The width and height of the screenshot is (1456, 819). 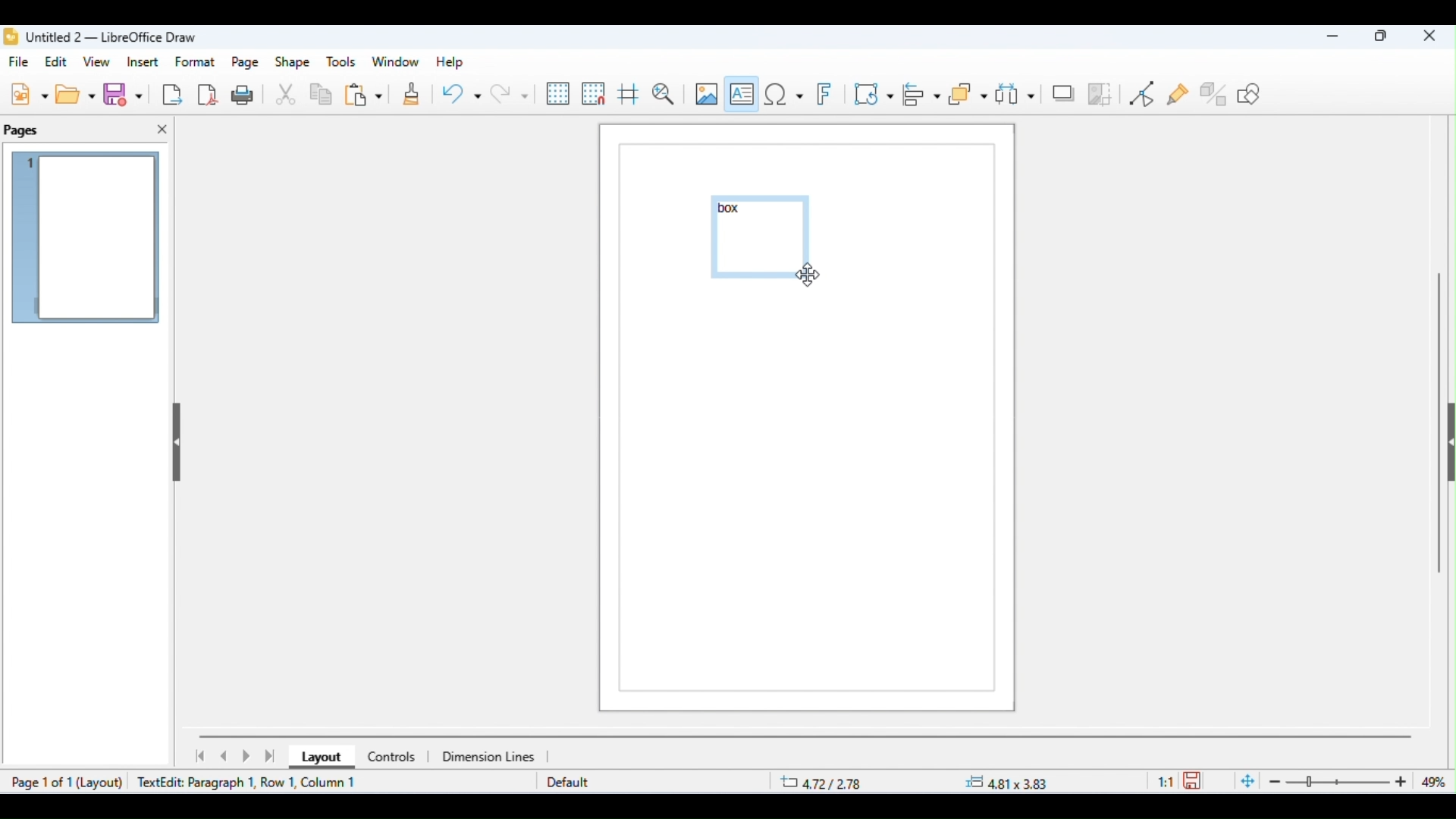 What do you see at coordinates (1382, 38) in the screenshot?
I see `maximize` at bounding box center [1382, 38].